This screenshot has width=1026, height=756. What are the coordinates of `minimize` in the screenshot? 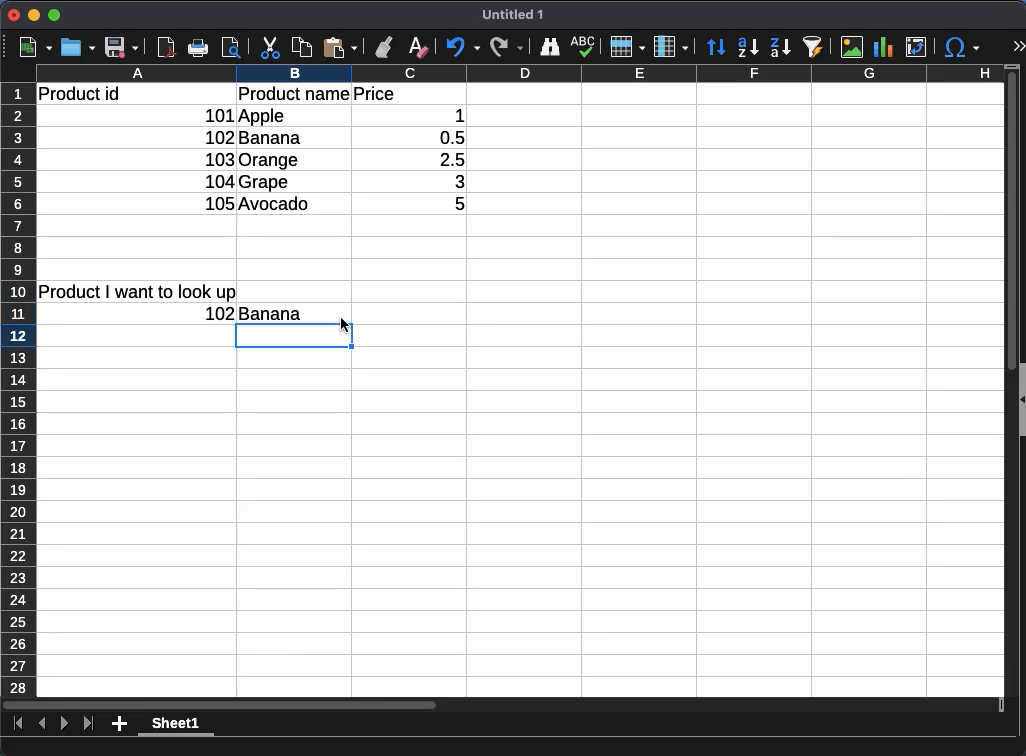 It's located at (34, 15).